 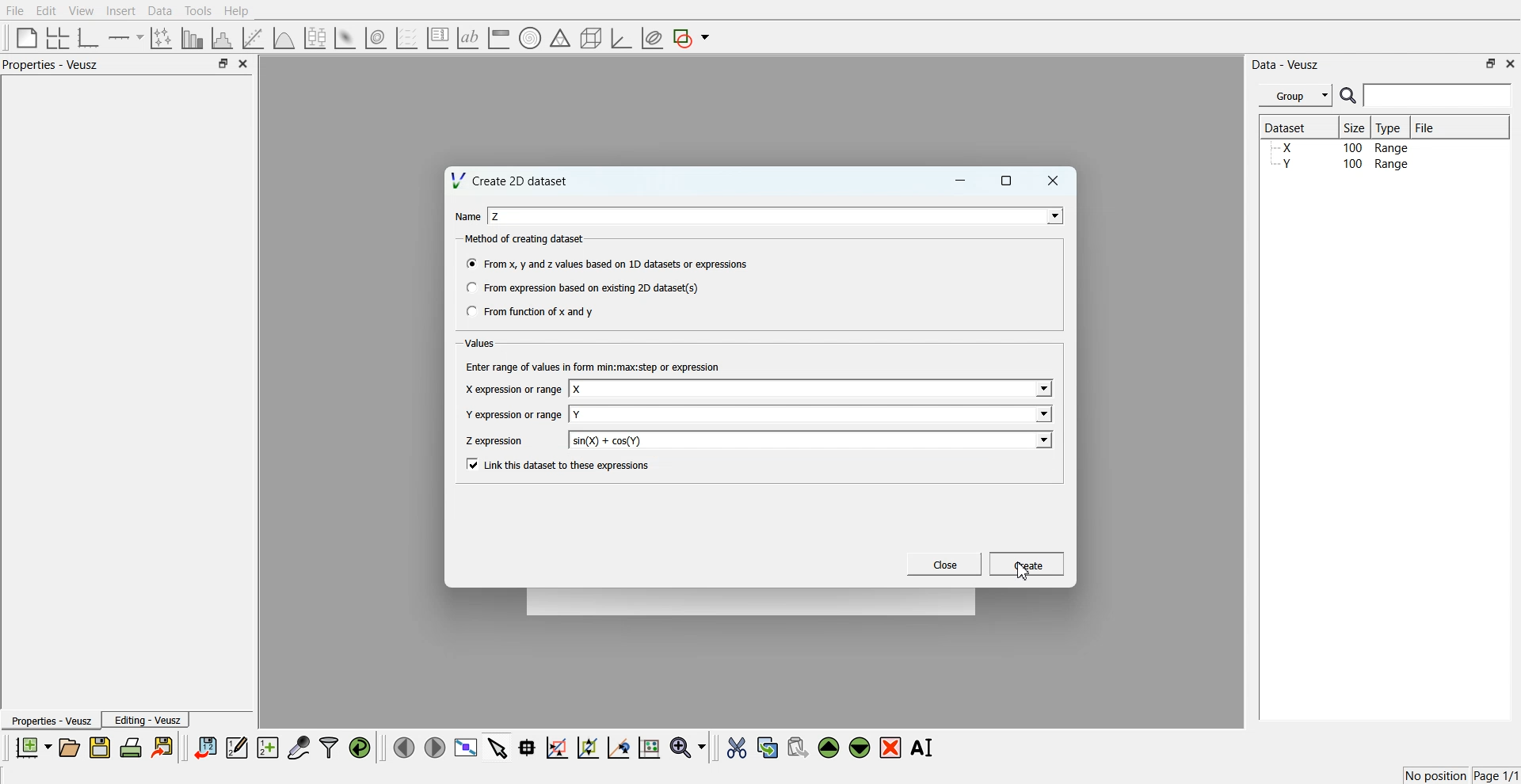 What do you see at coordinates (1341, 164) in the screenshot?
I see `Y 100 Range` at bounding box center [1341, 164].